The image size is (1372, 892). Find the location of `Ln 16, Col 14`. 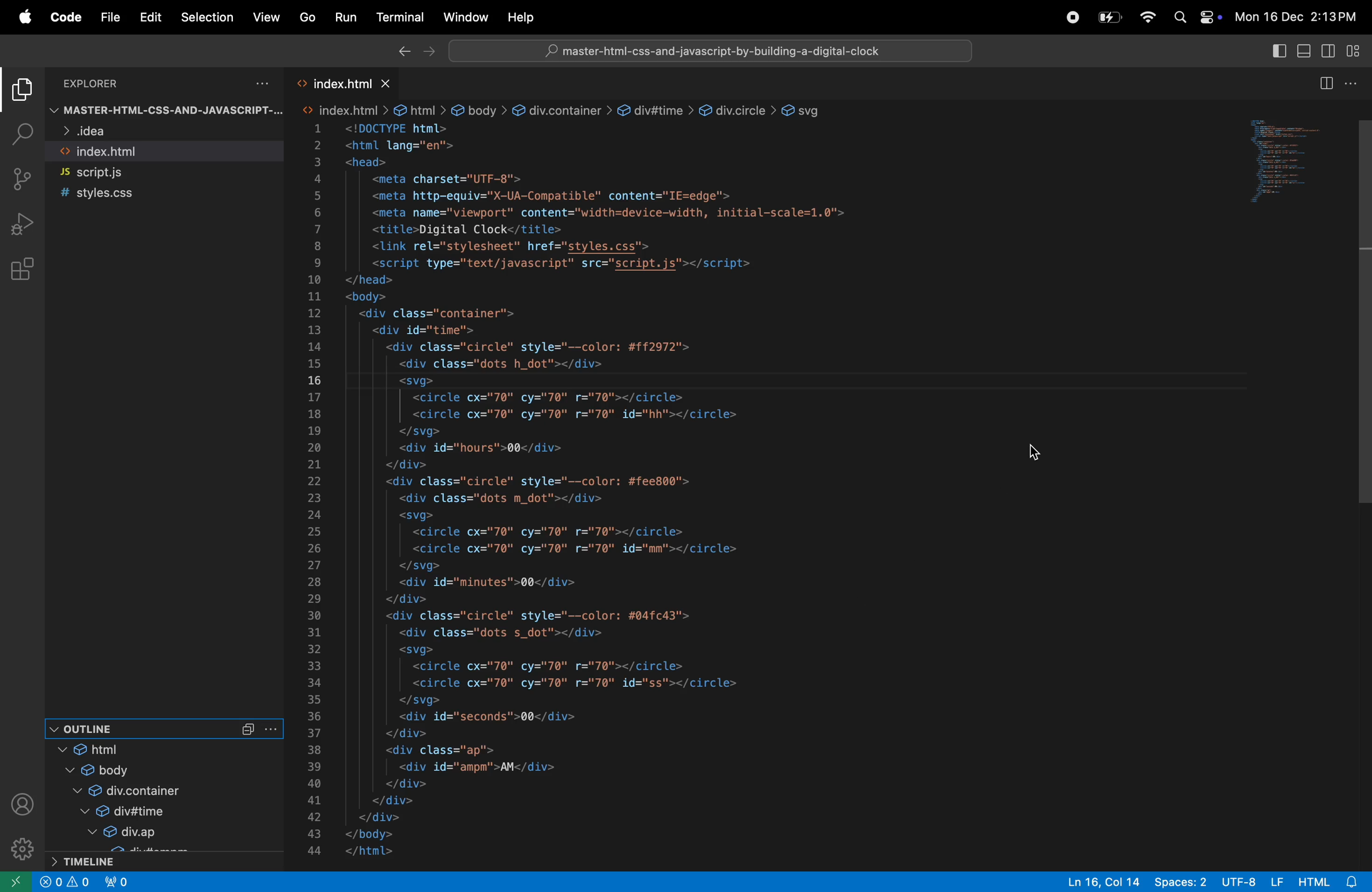

Ln 16, Col 14 is located at coordinates (1098, 881).